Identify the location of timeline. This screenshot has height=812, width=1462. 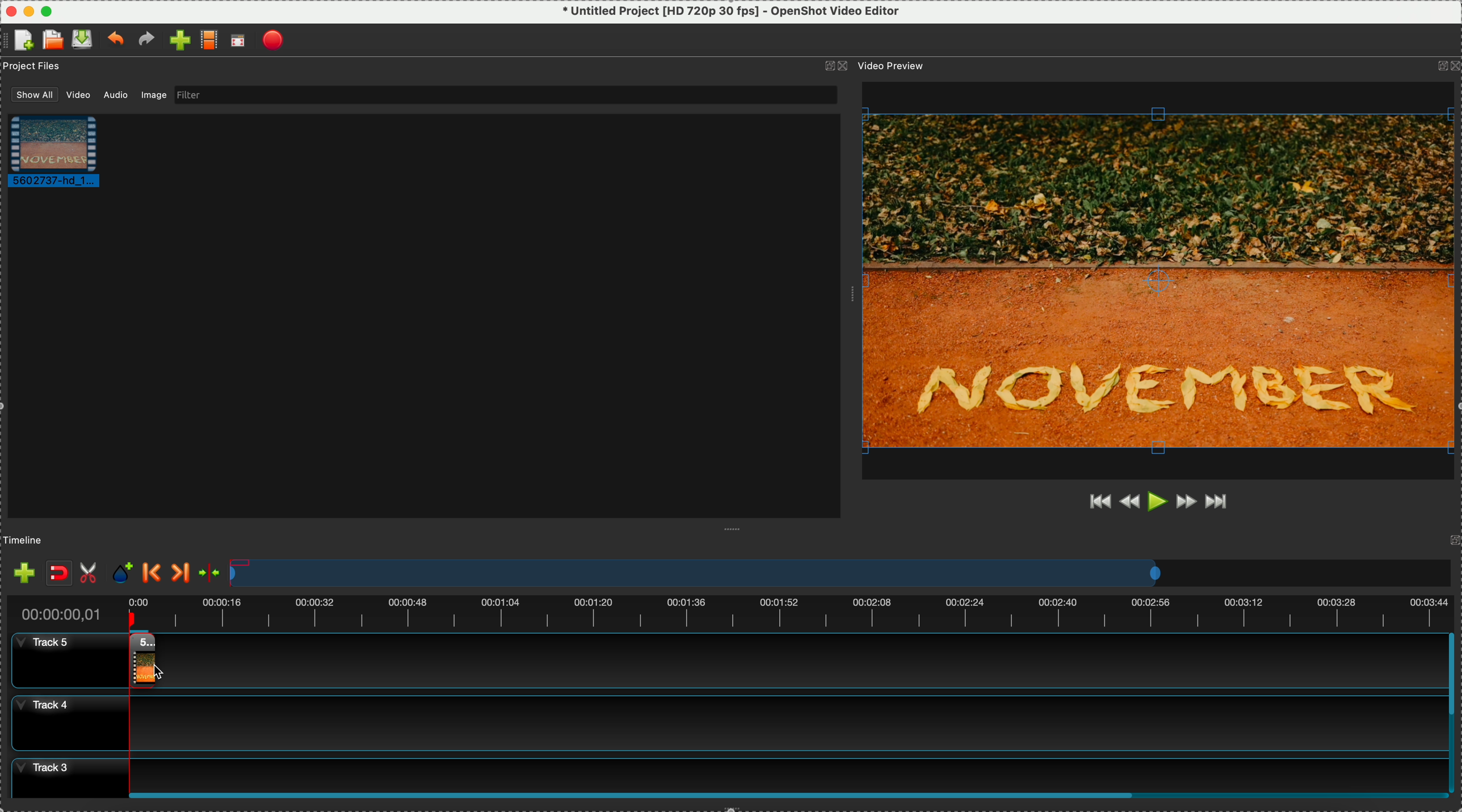
(27, 539).